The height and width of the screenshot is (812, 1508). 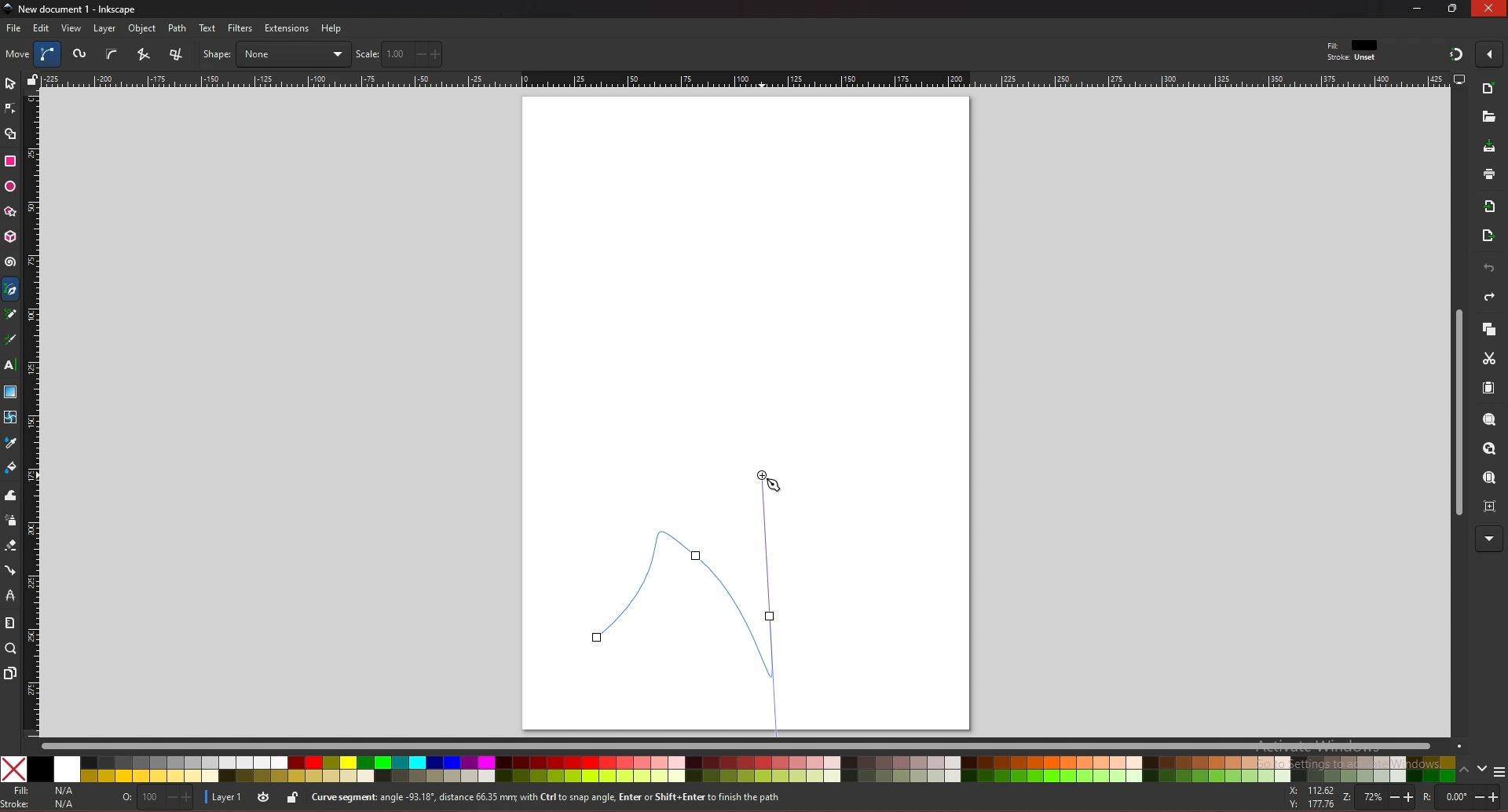 I want to click on lock, so click(x=292, y=797).